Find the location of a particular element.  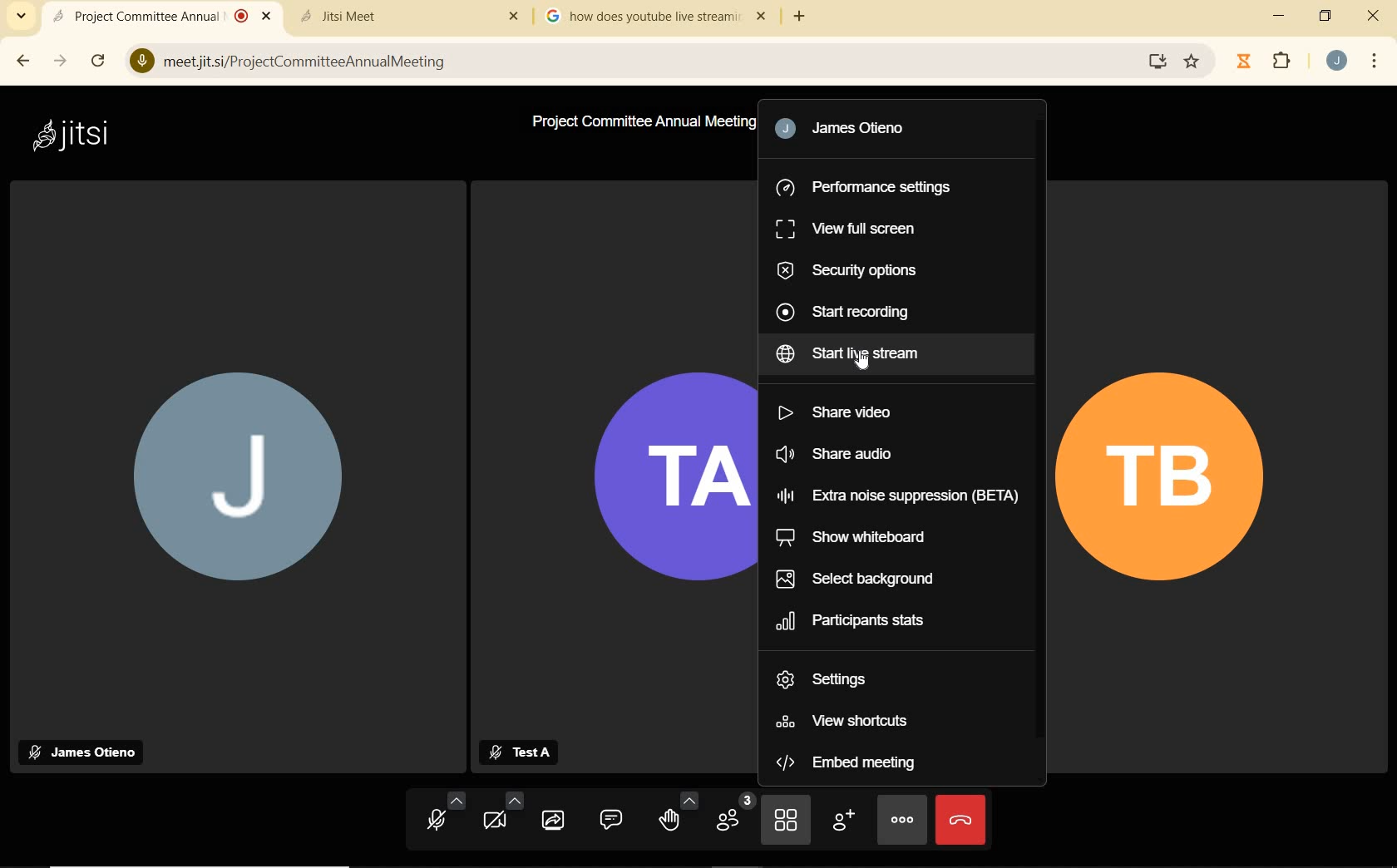

tab is located at coordinates (639, 17).